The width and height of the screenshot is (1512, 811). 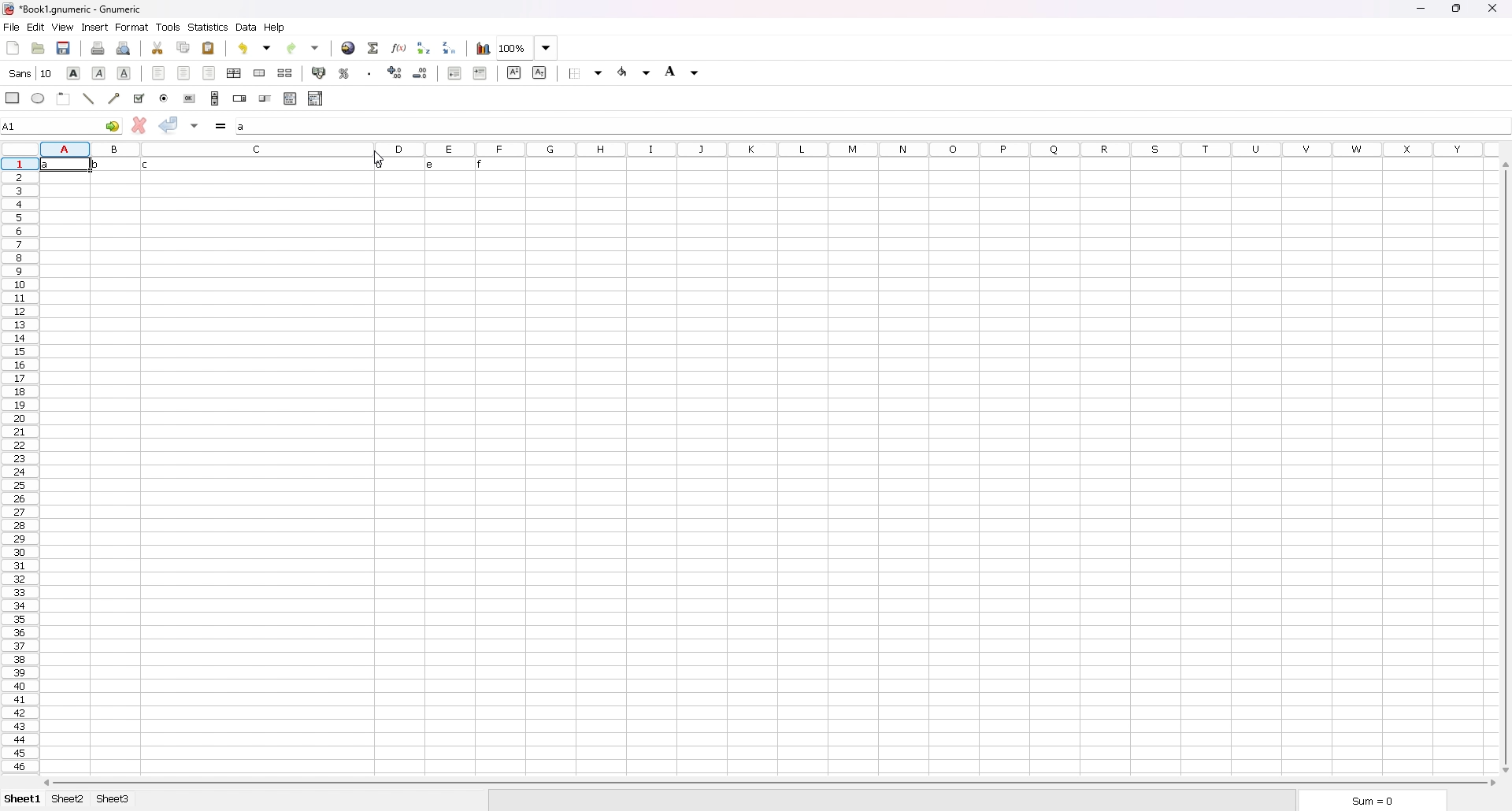 I want to click on left align, so click(x=159, y=72).